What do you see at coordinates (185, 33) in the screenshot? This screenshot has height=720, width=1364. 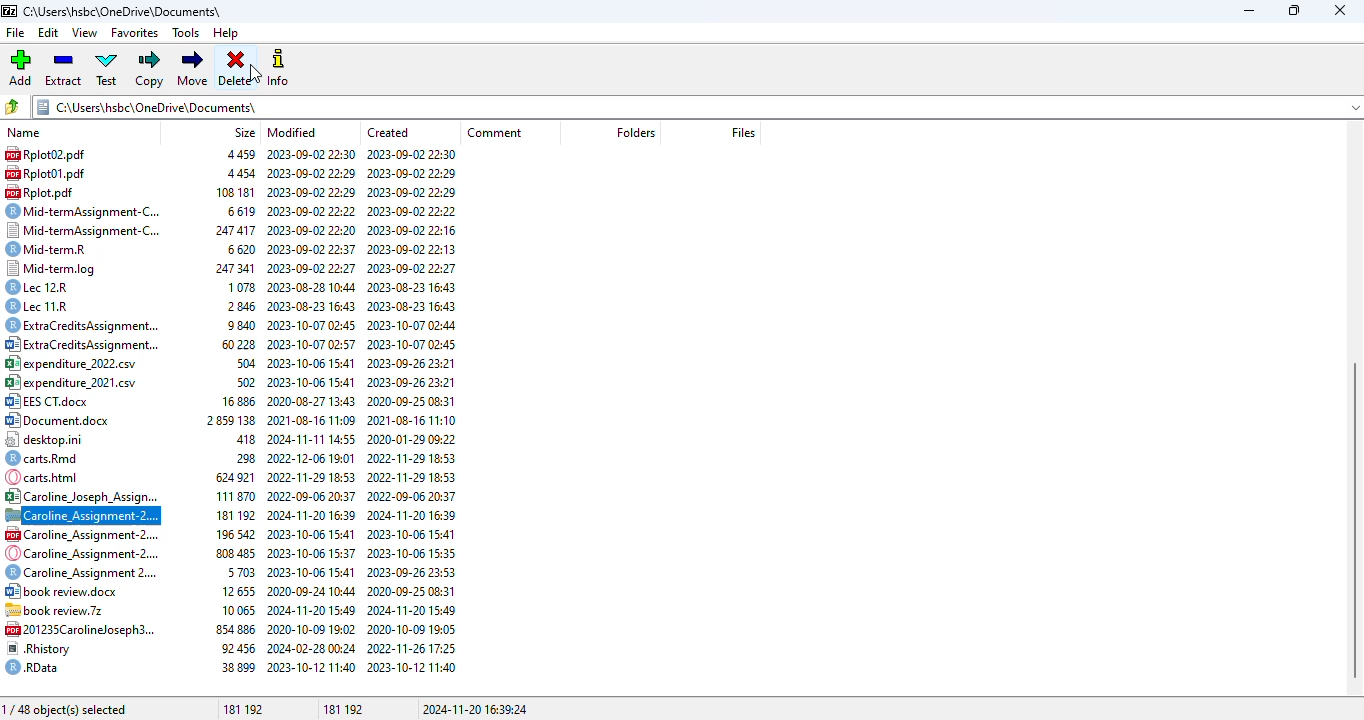 I see `tools` at bounding box center [185, 33].